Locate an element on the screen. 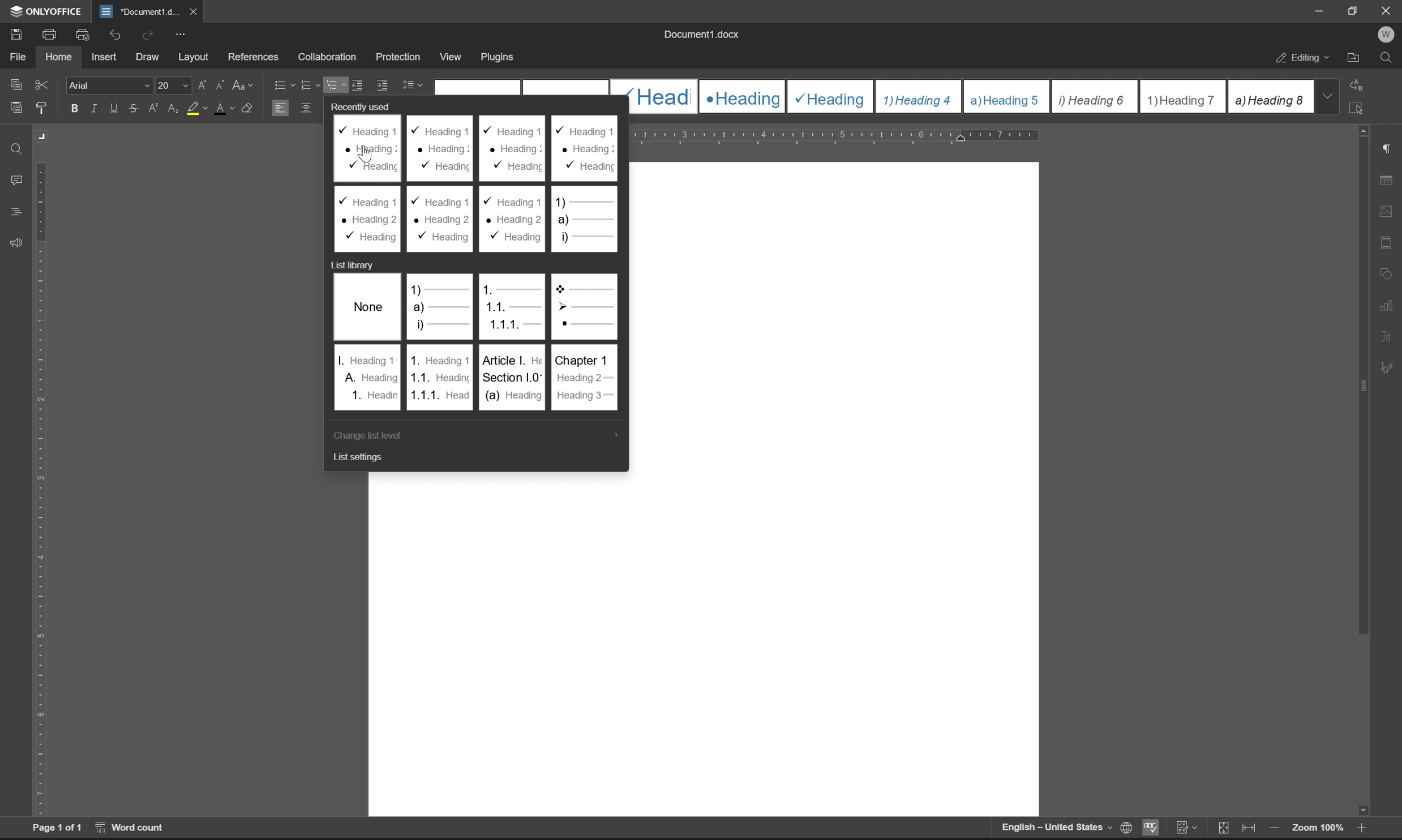  W is located at coordinates (1388, 35).